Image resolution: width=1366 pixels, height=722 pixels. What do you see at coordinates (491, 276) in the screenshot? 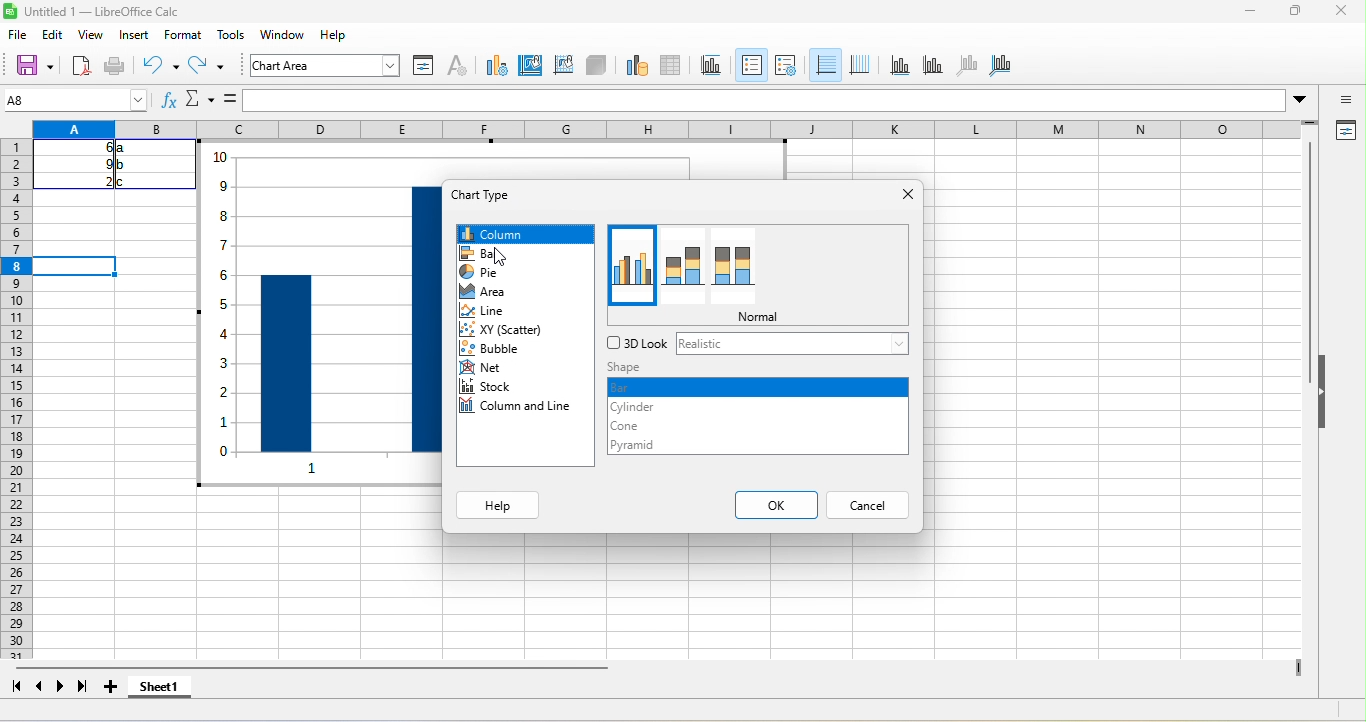
I see `pie` at bounding box center [491, 276].